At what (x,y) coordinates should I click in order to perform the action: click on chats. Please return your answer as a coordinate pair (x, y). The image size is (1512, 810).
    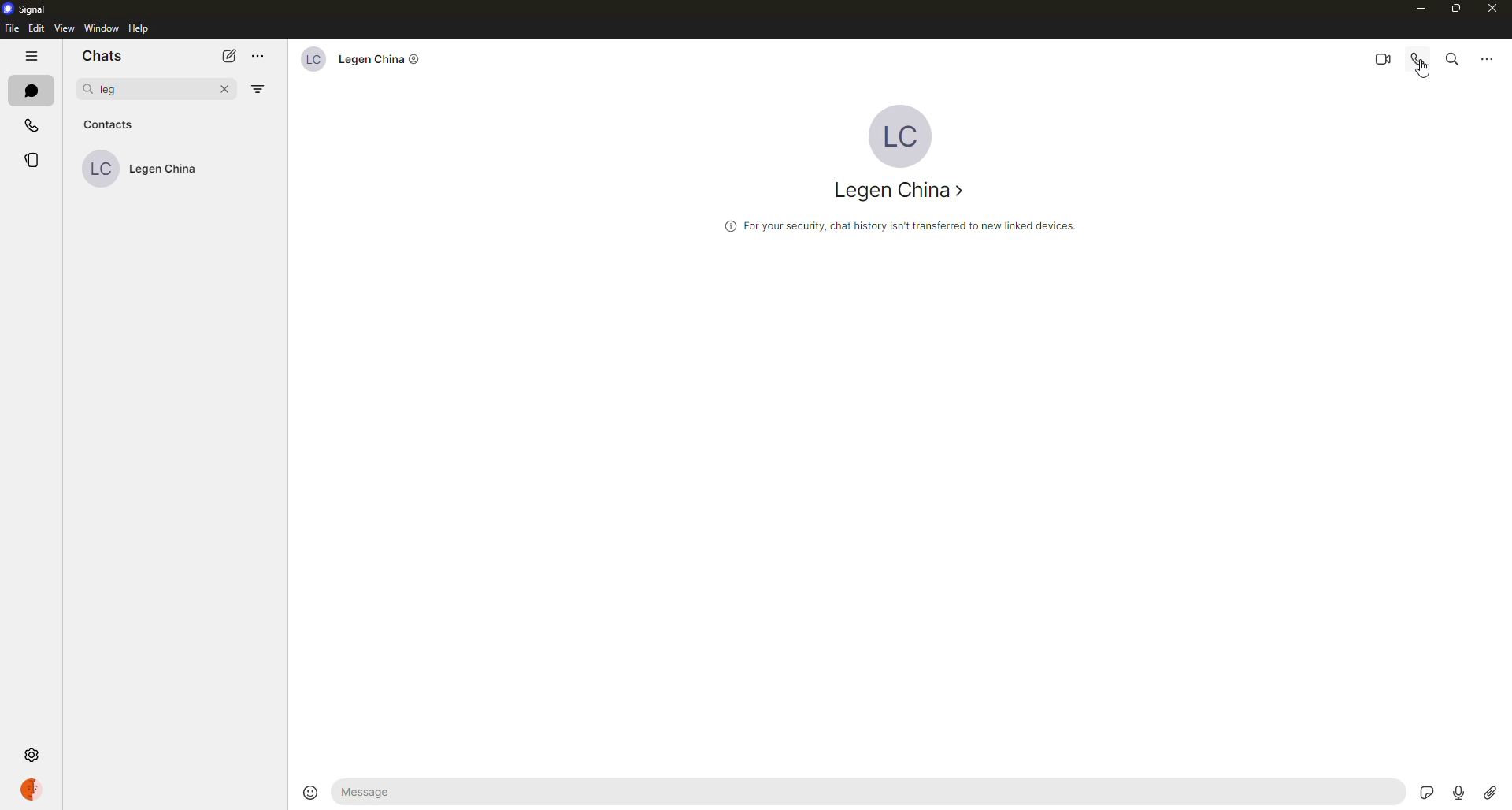
    Looking at the image, I should click on (98, 56).